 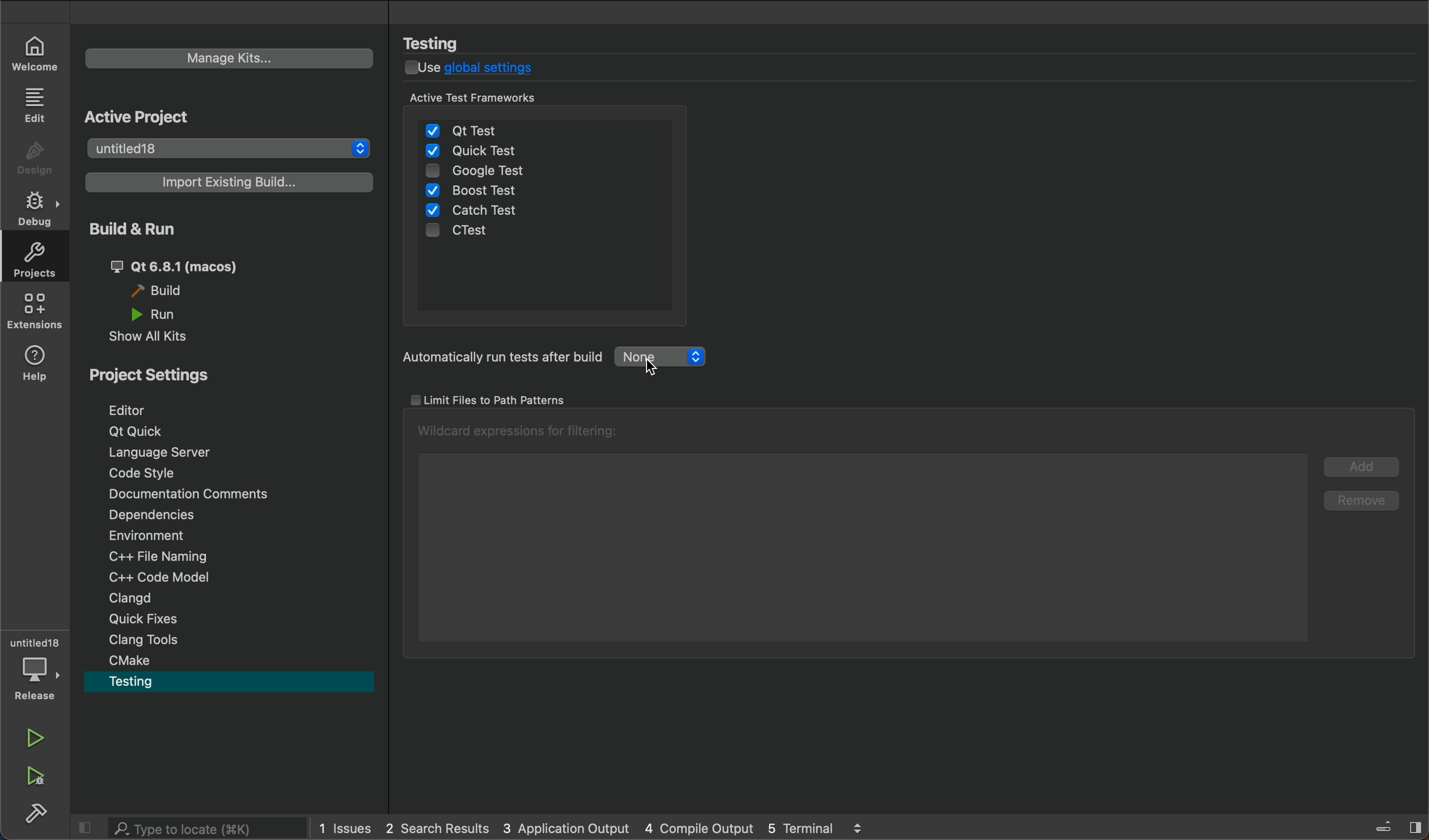 What do you see at coordinates (133, 660) in the screenshot?
I see `cmake` at bounding box center [133, 660].